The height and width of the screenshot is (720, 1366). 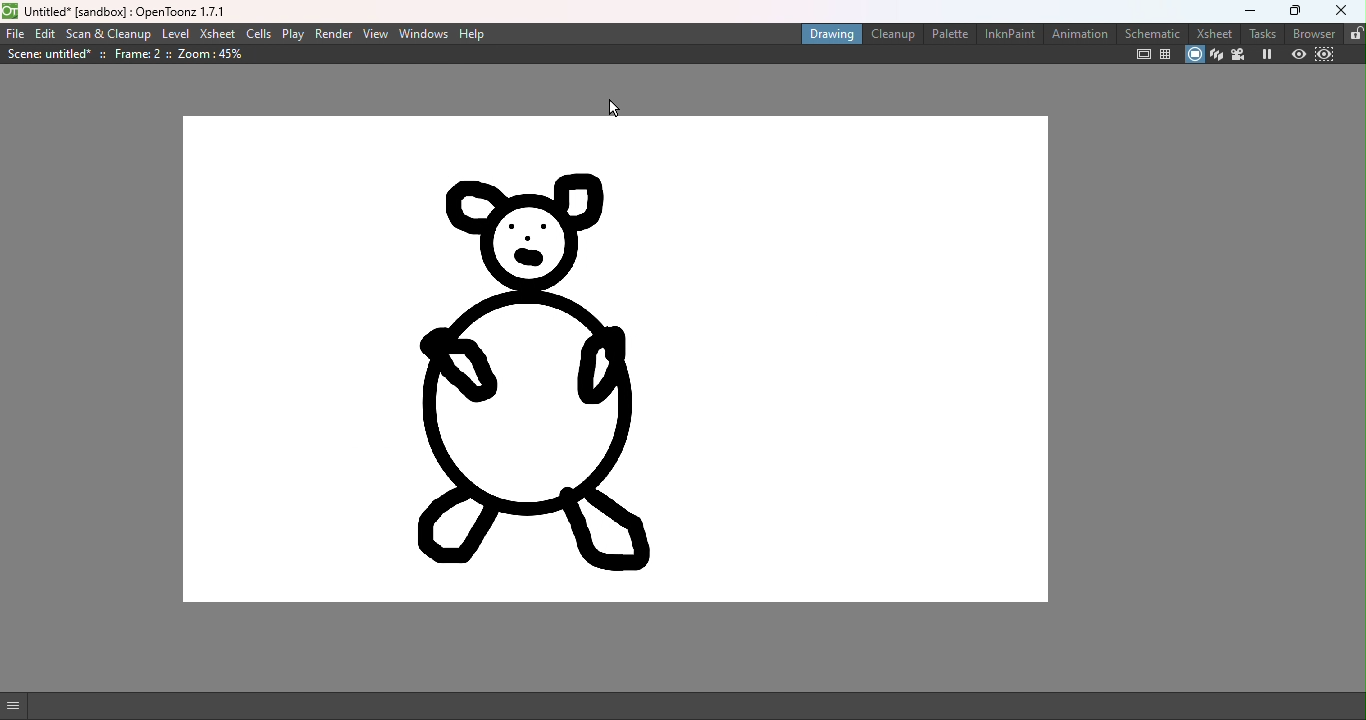 I want to click on File name, so click(x=124, y=10).